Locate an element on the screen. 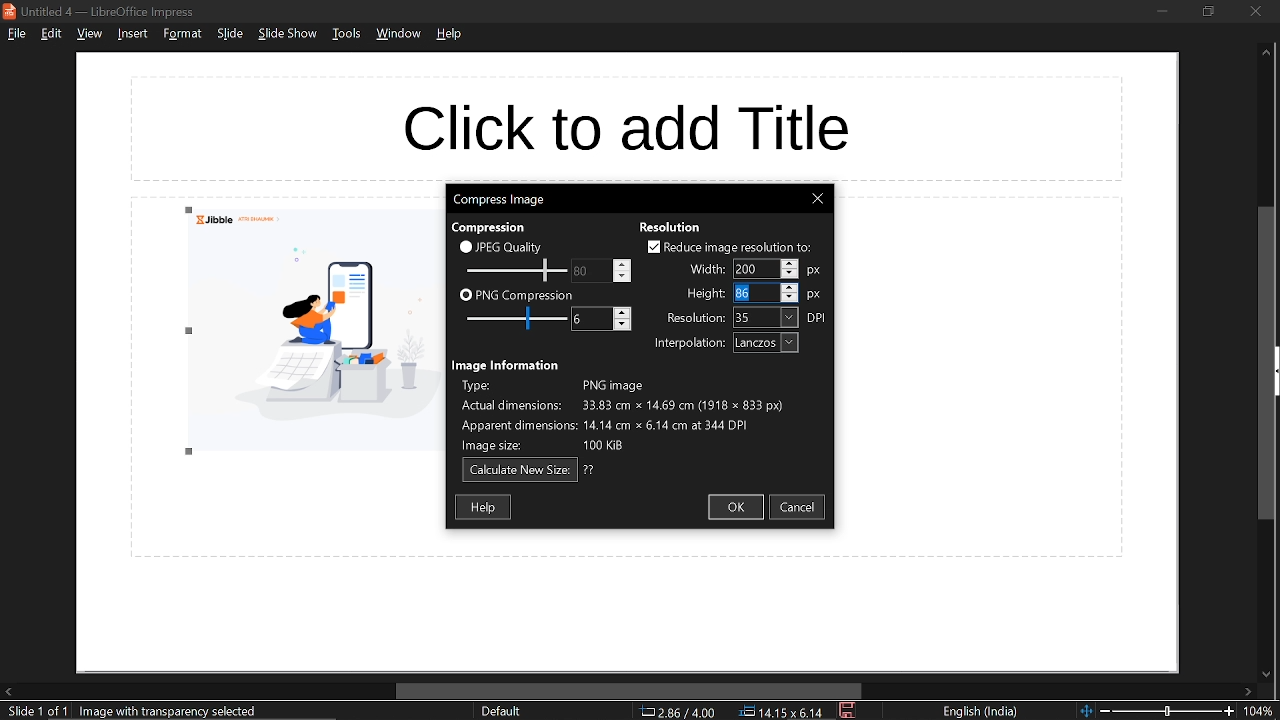 Image resolution: width=1280 pixels, height=720 pixels. move right is located at coordinates (1248, 693).